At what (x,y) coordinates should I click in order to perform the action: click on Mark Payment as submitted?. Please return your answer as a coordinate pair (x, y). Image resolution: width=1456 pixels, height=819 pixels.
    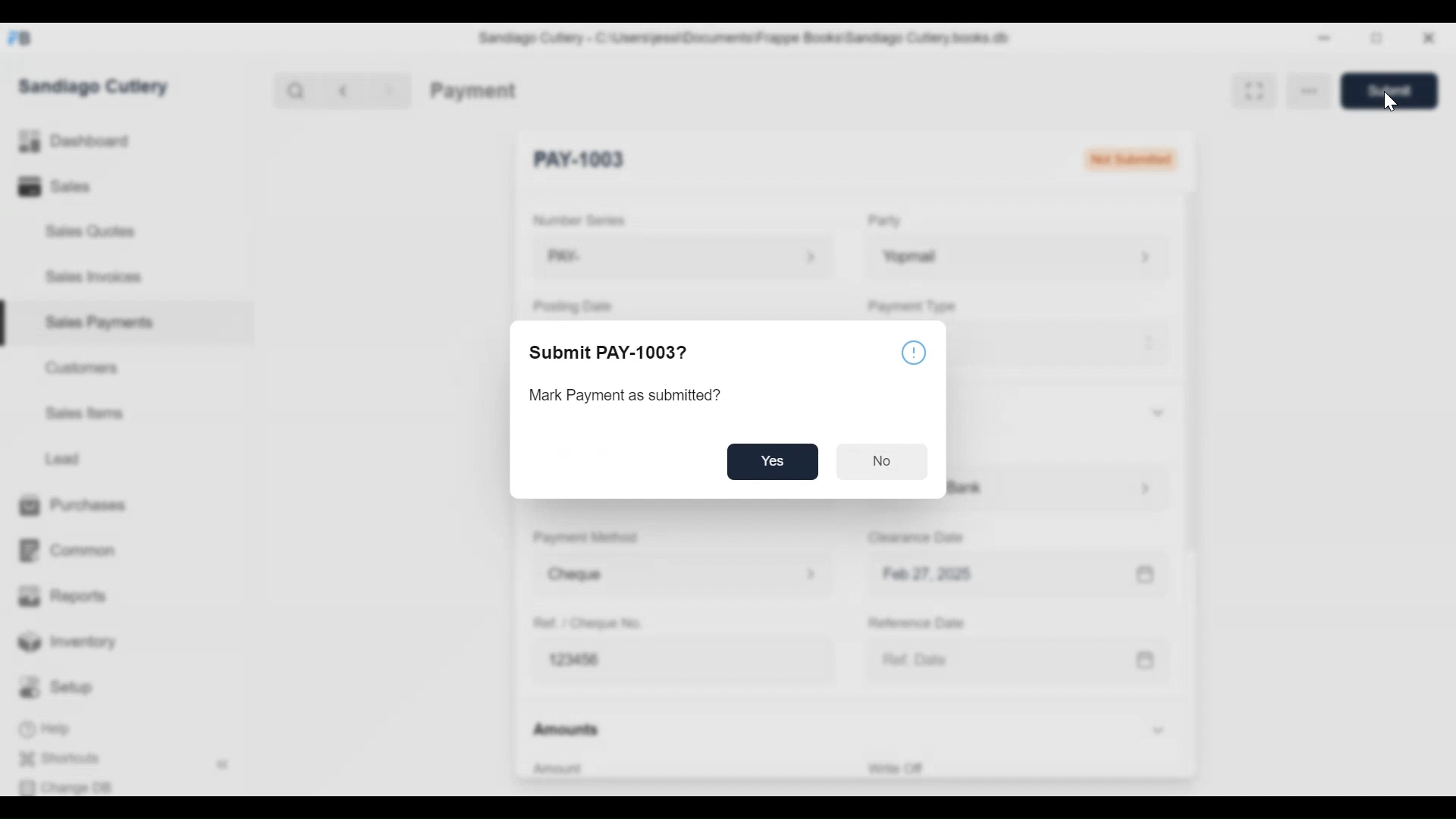
    Looking at the image, I should click on (624, 396).